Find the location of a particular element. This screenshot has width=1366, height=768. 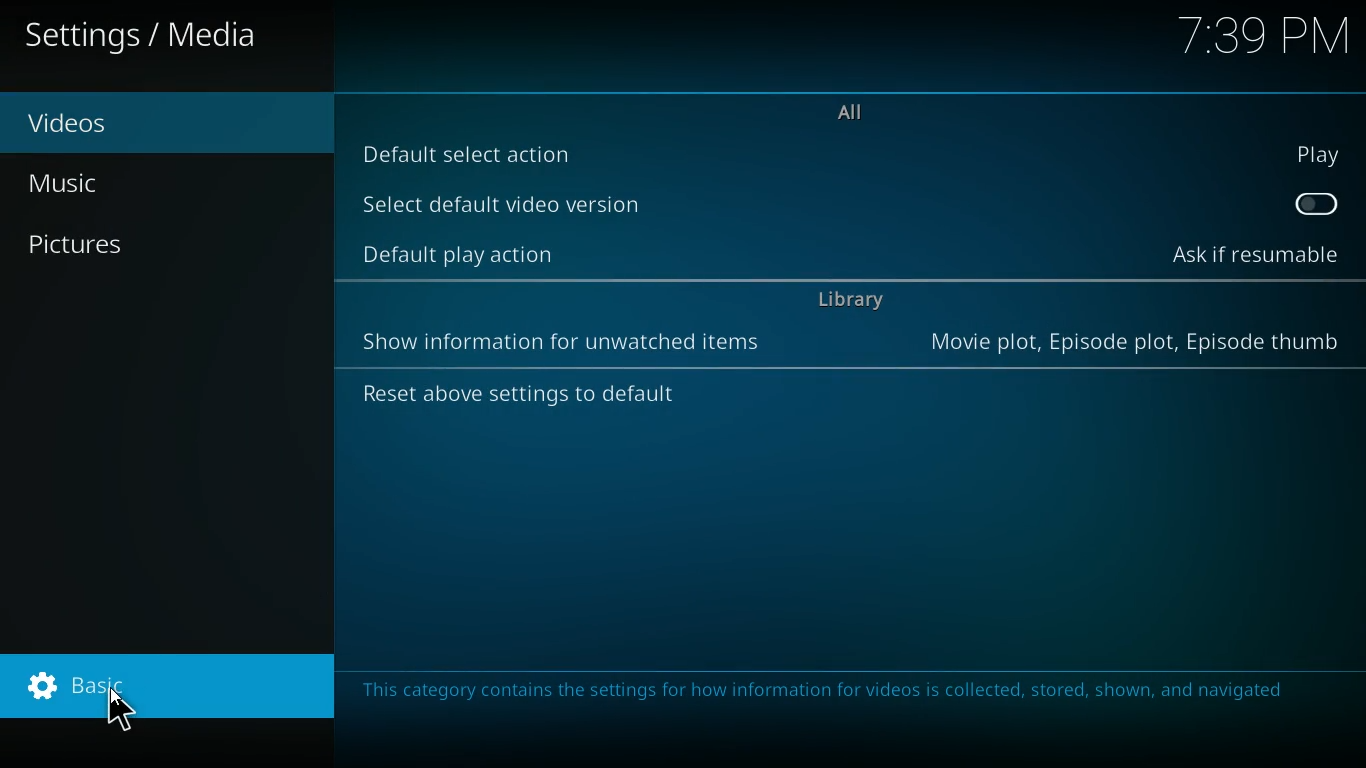

library is located at coordinates (849, 300).